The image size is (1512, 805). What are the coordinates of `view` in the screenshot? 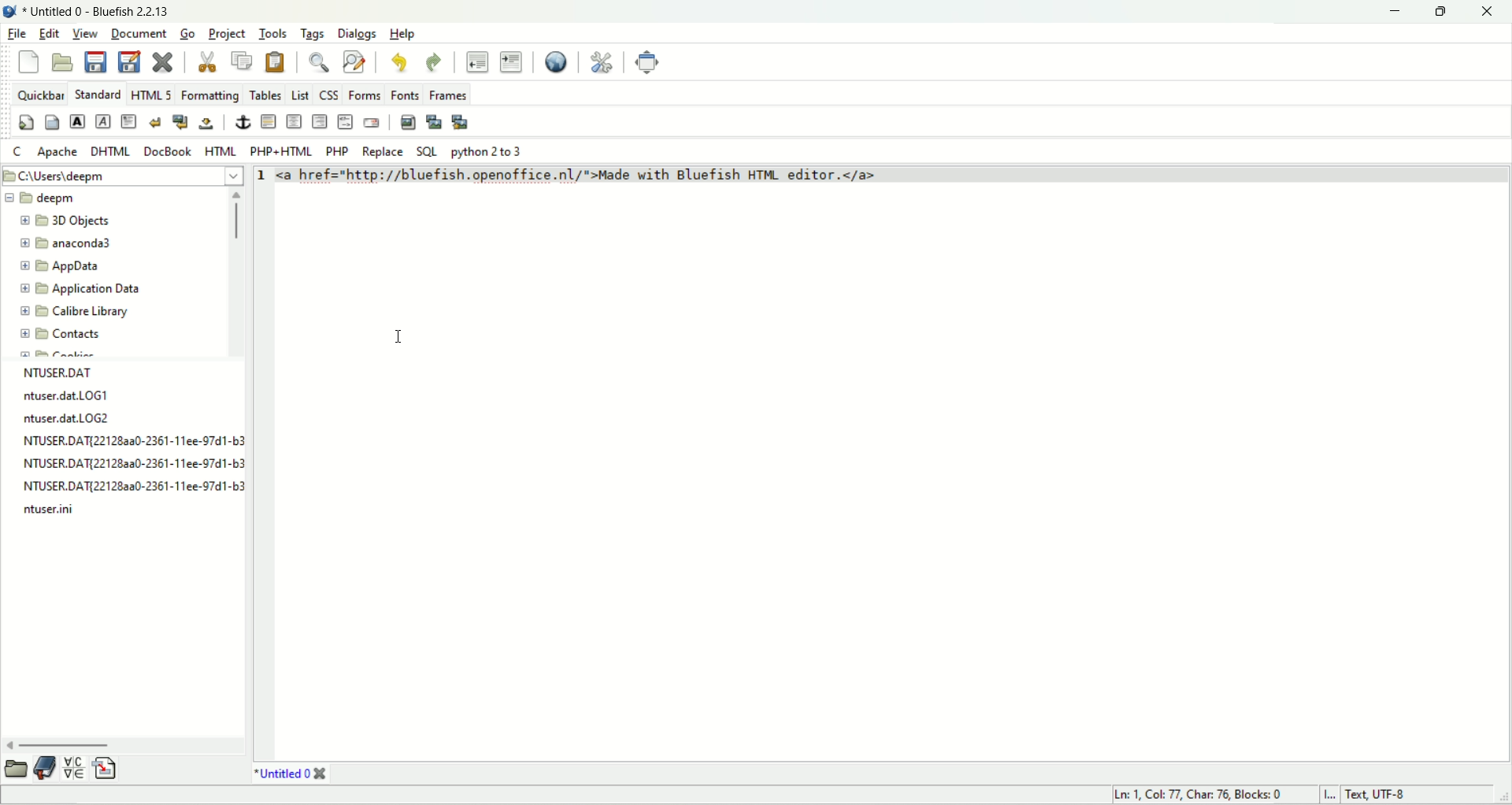 It's located at (86, 35).